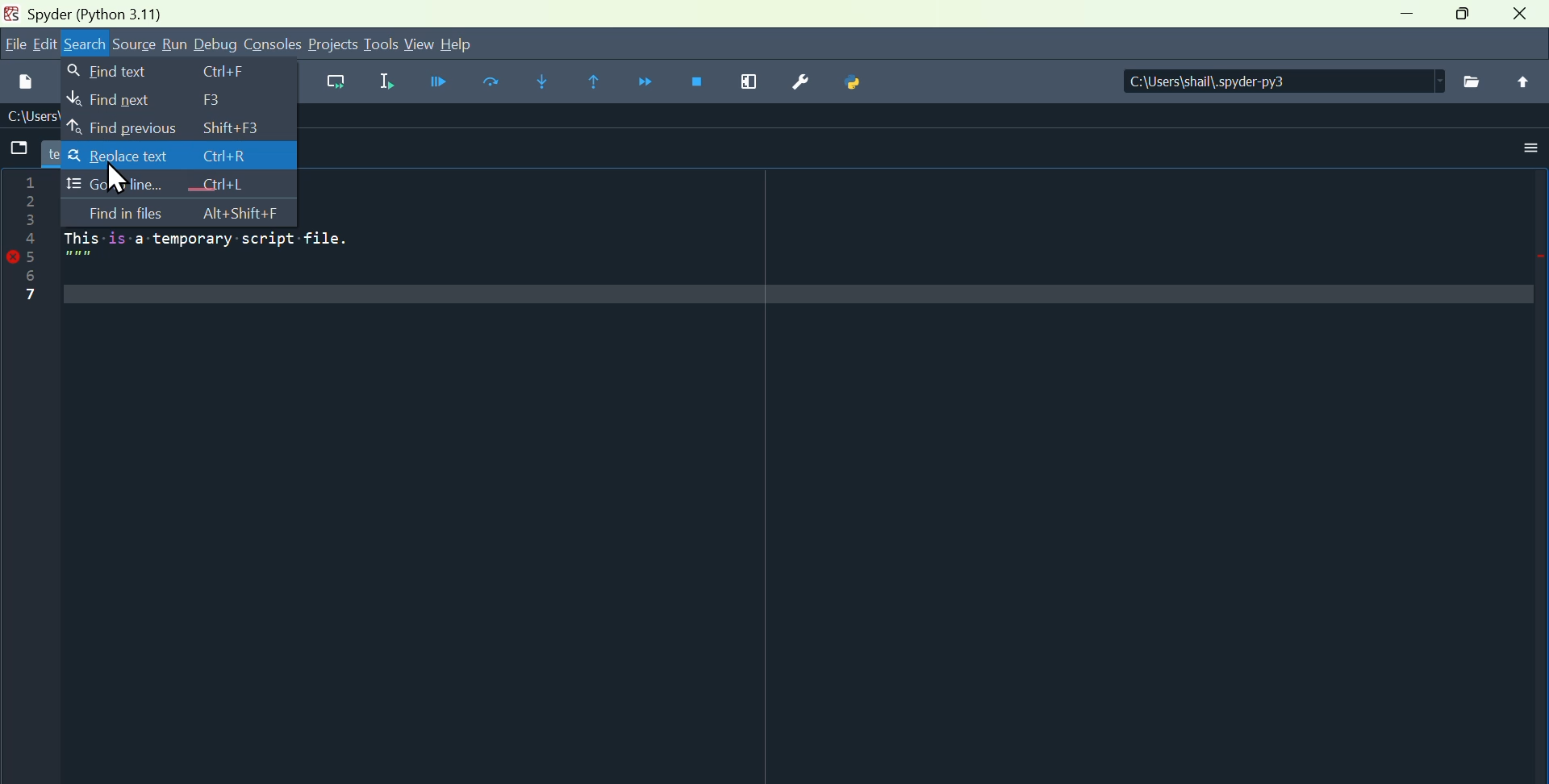  What do you see at coordinates (490, 85) in the screenshot?
I see `run cell` at bounding box center [490, 85].